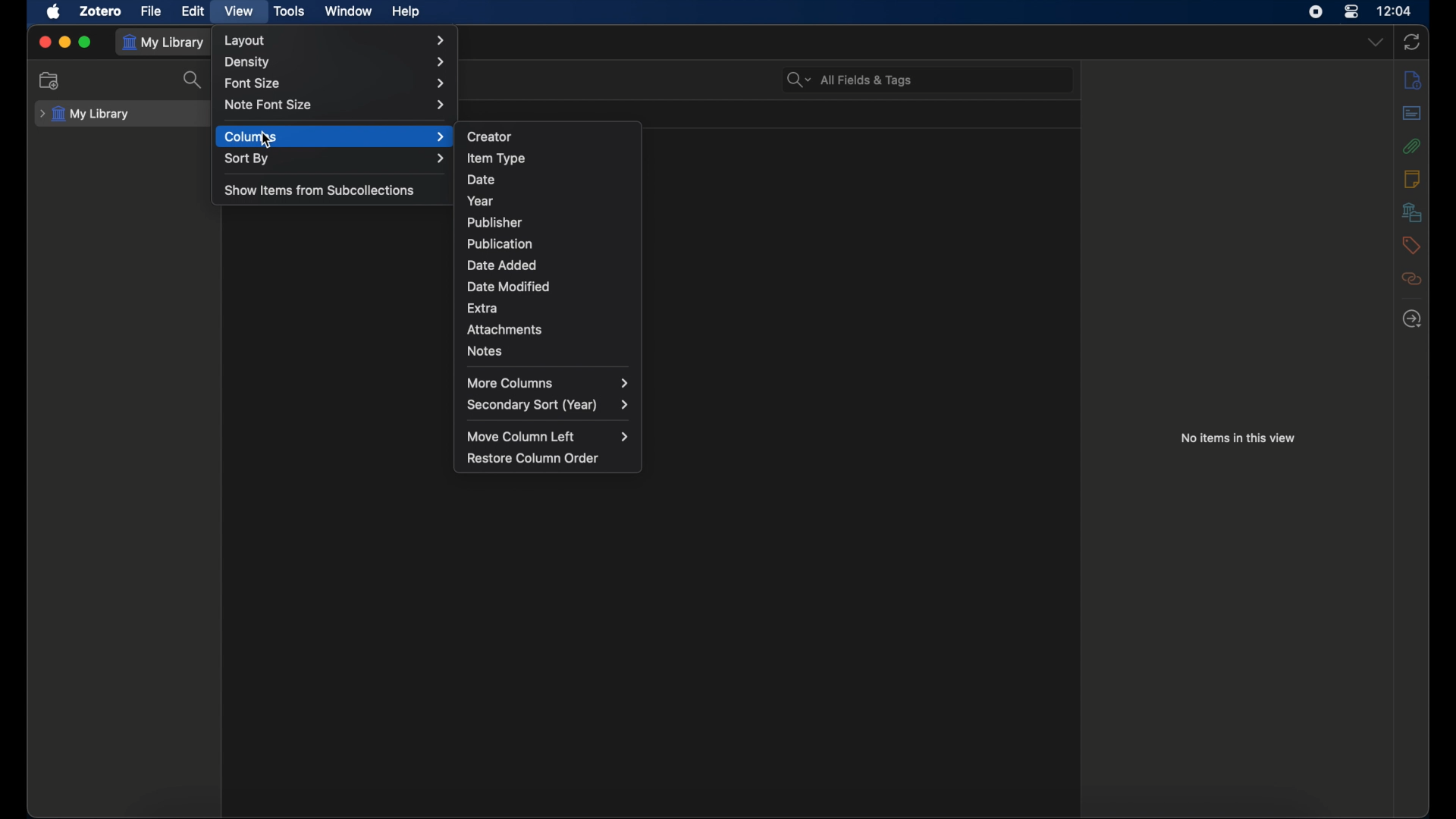 This screenshot has width=1456, height=819. I want to click on date modified, so click(509, 287).